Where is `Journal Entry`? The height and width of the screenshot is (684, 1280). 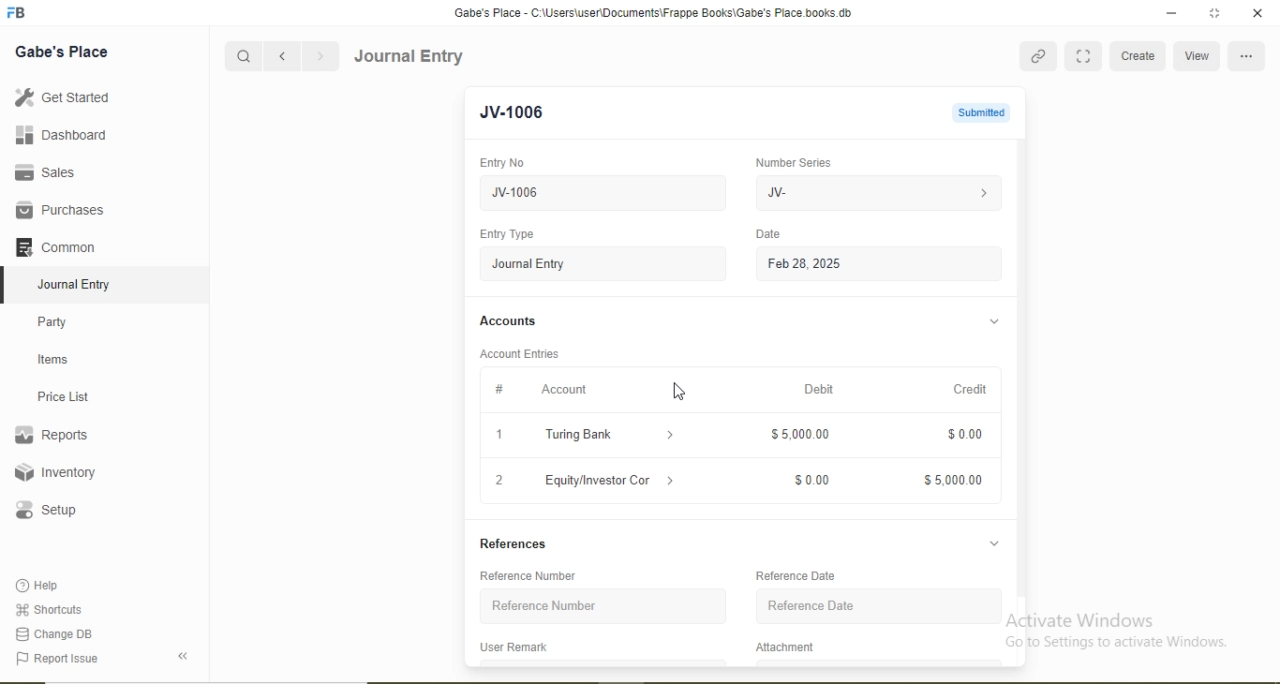
Journal Entry is located at coordinates (531, 264).